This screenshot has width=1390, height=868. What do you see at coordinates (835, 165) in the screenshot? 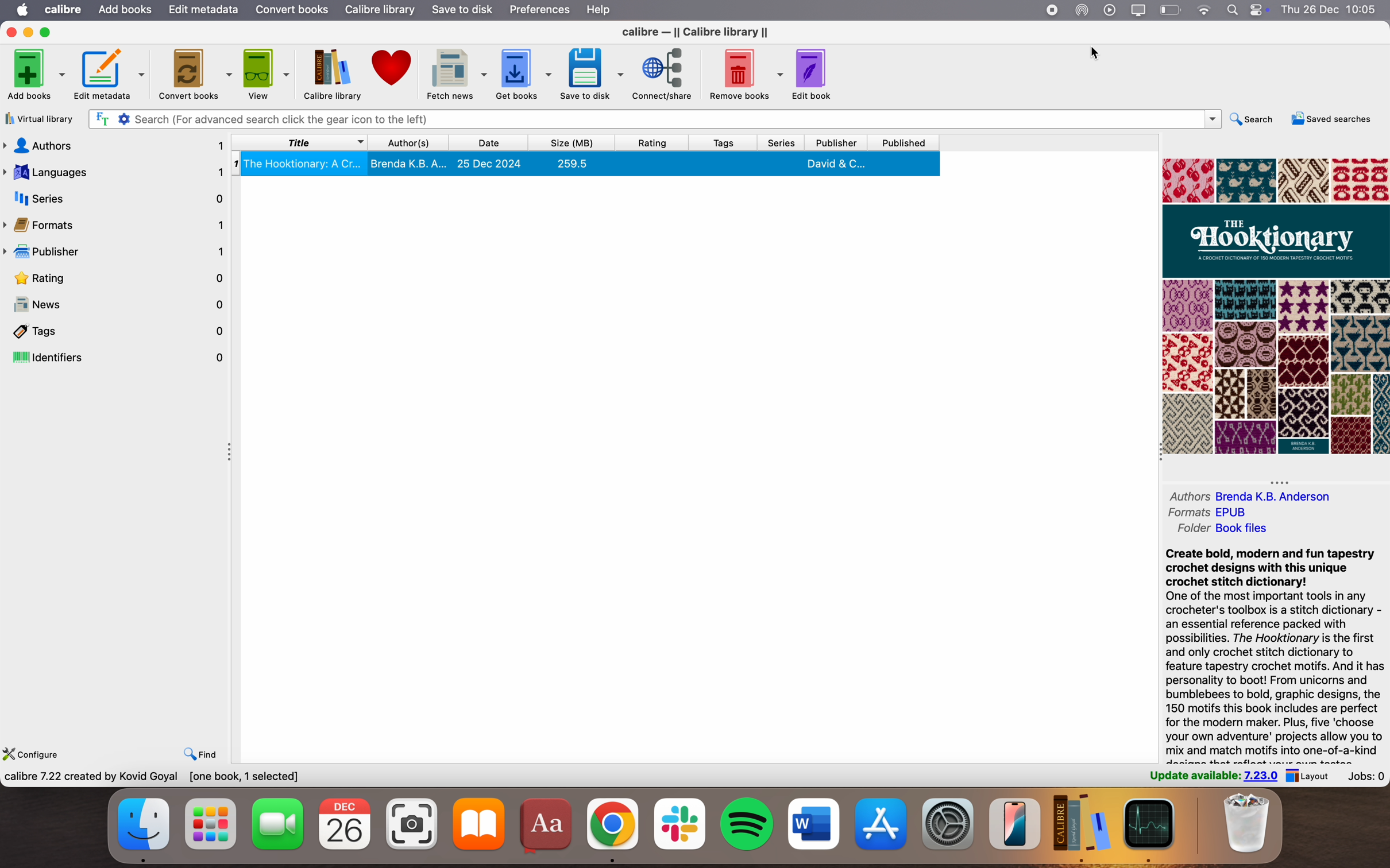
I see `David & C..` at bounding box center [835, 165].